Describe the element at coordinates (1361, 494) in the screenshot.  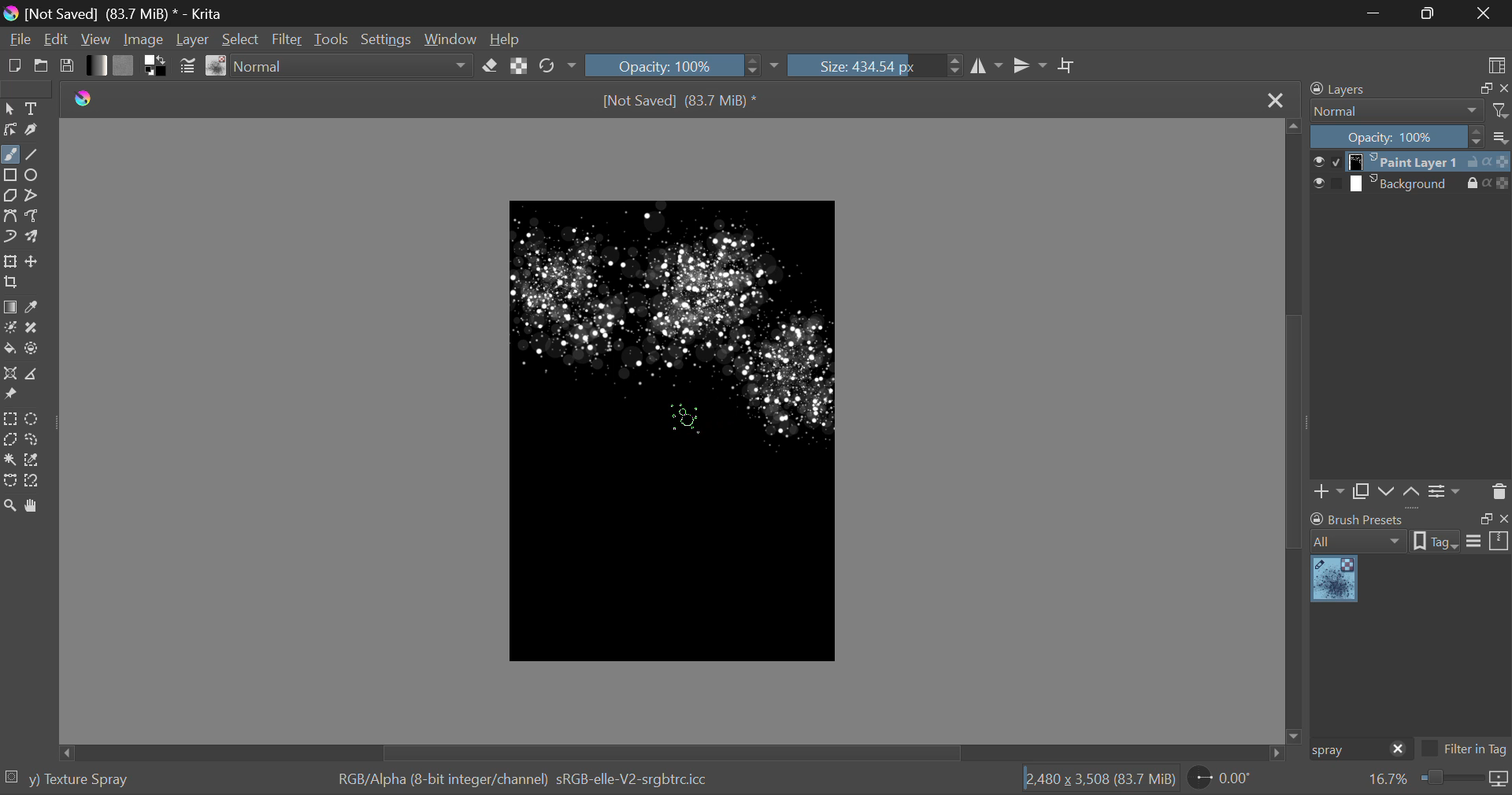
I see `Copy Layer` at that location.